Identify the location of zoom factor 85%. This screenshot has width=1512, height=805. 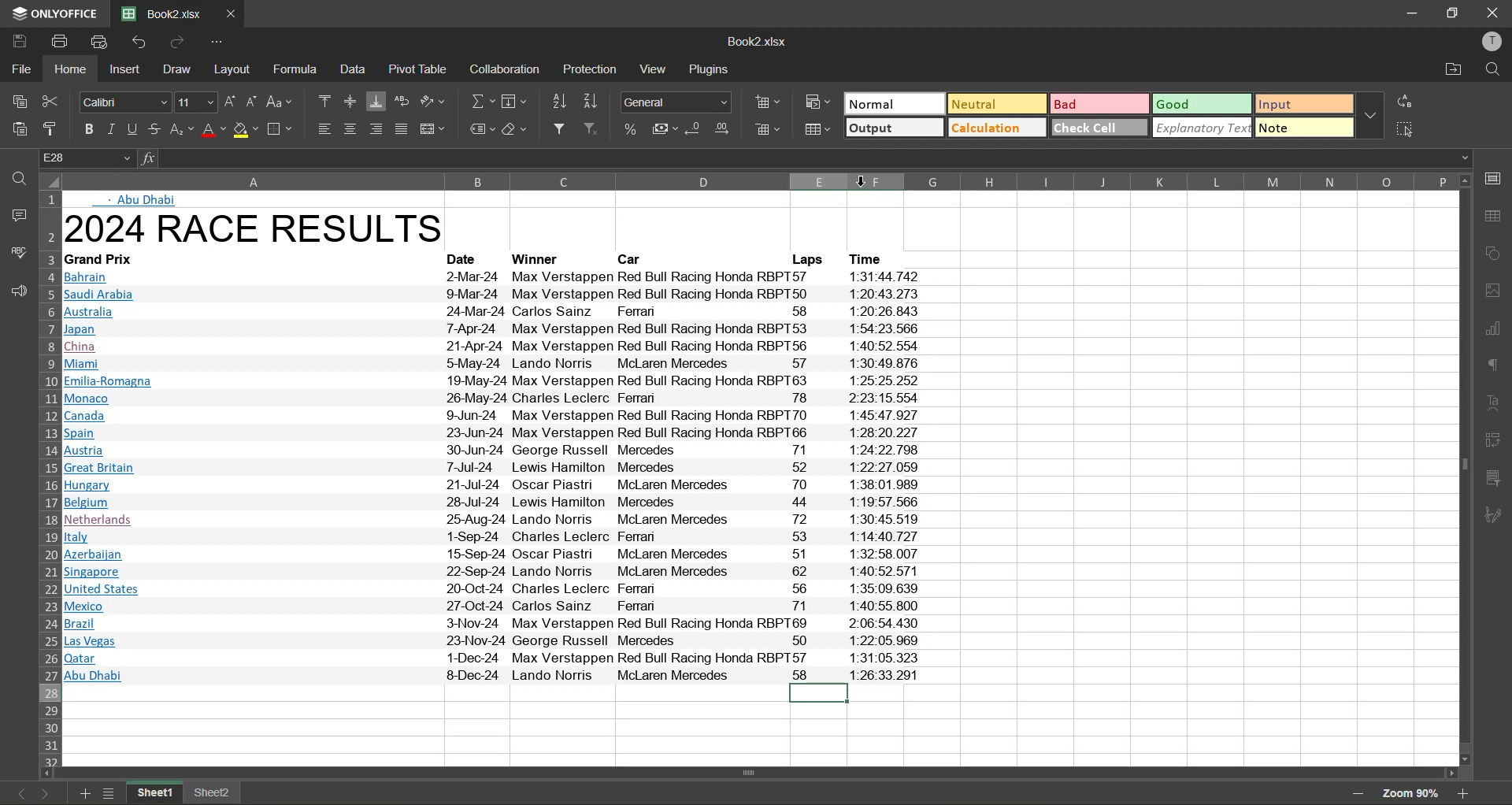
(1412, 793).